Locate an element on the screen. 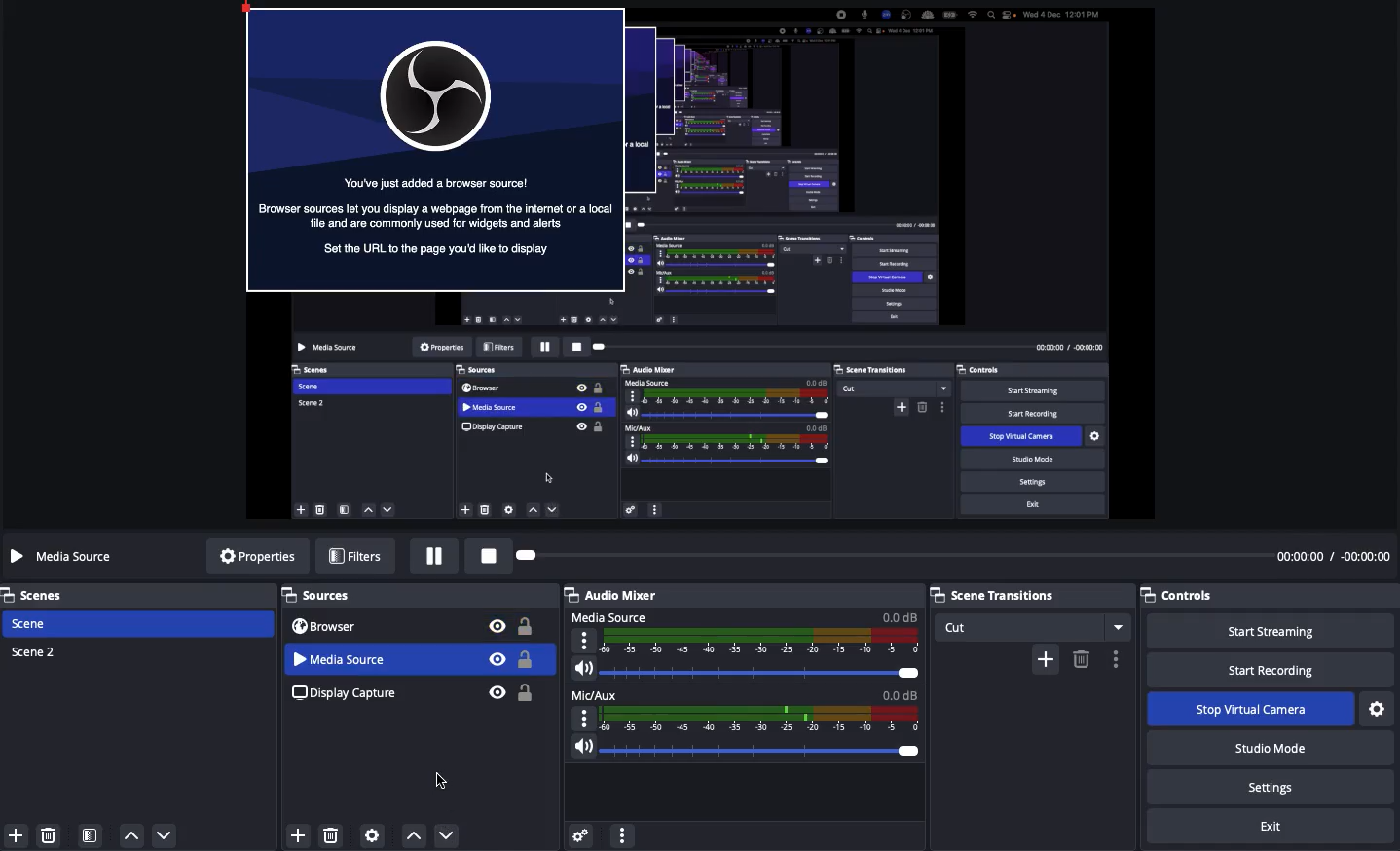 Image resolution: width=1400 pixels, height=851 pixels. Start streaming is located at coordinates (1267, 632).